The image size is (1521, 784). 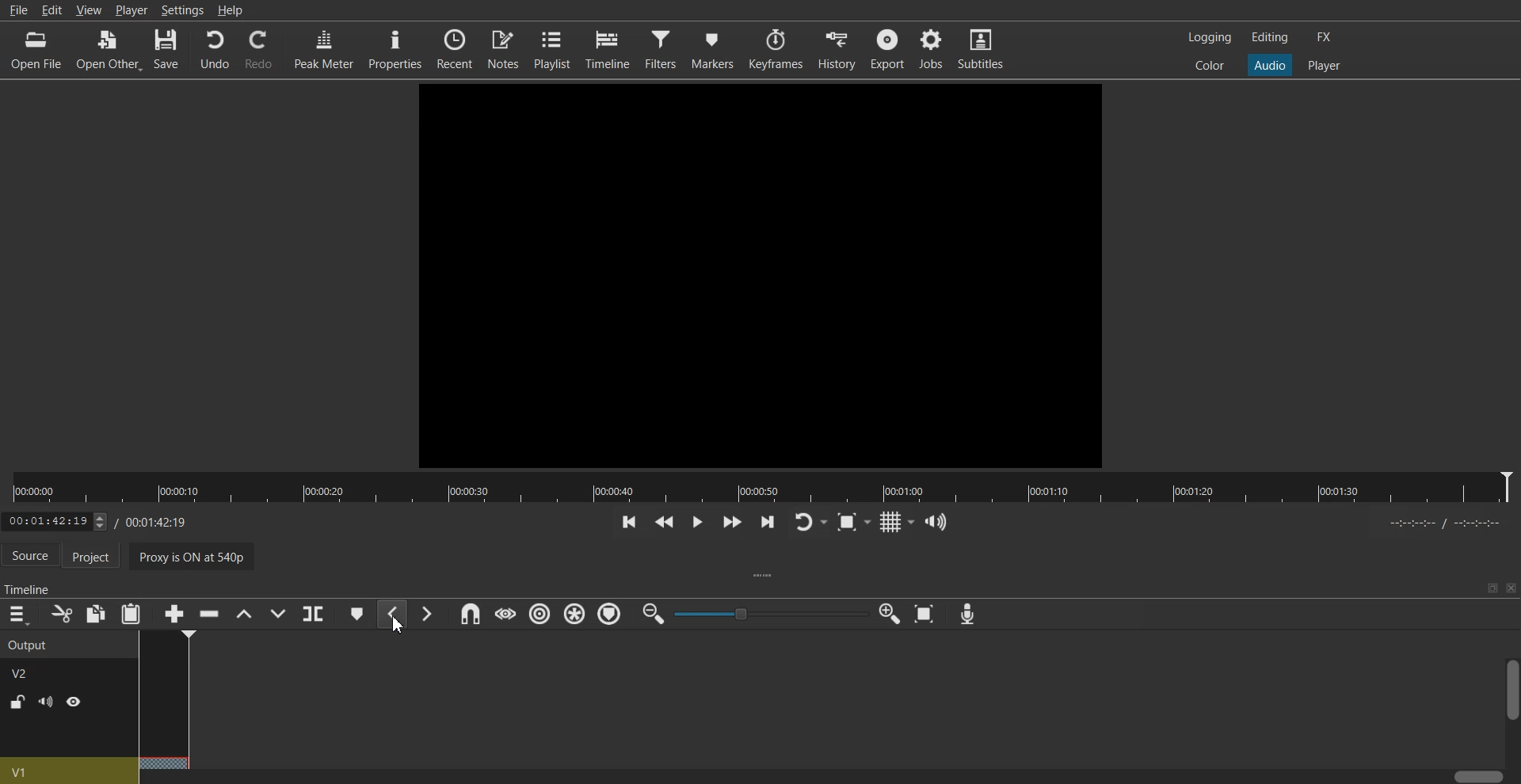 I want to click on Proxy is ON at 540p, so click(x=196, y=555).